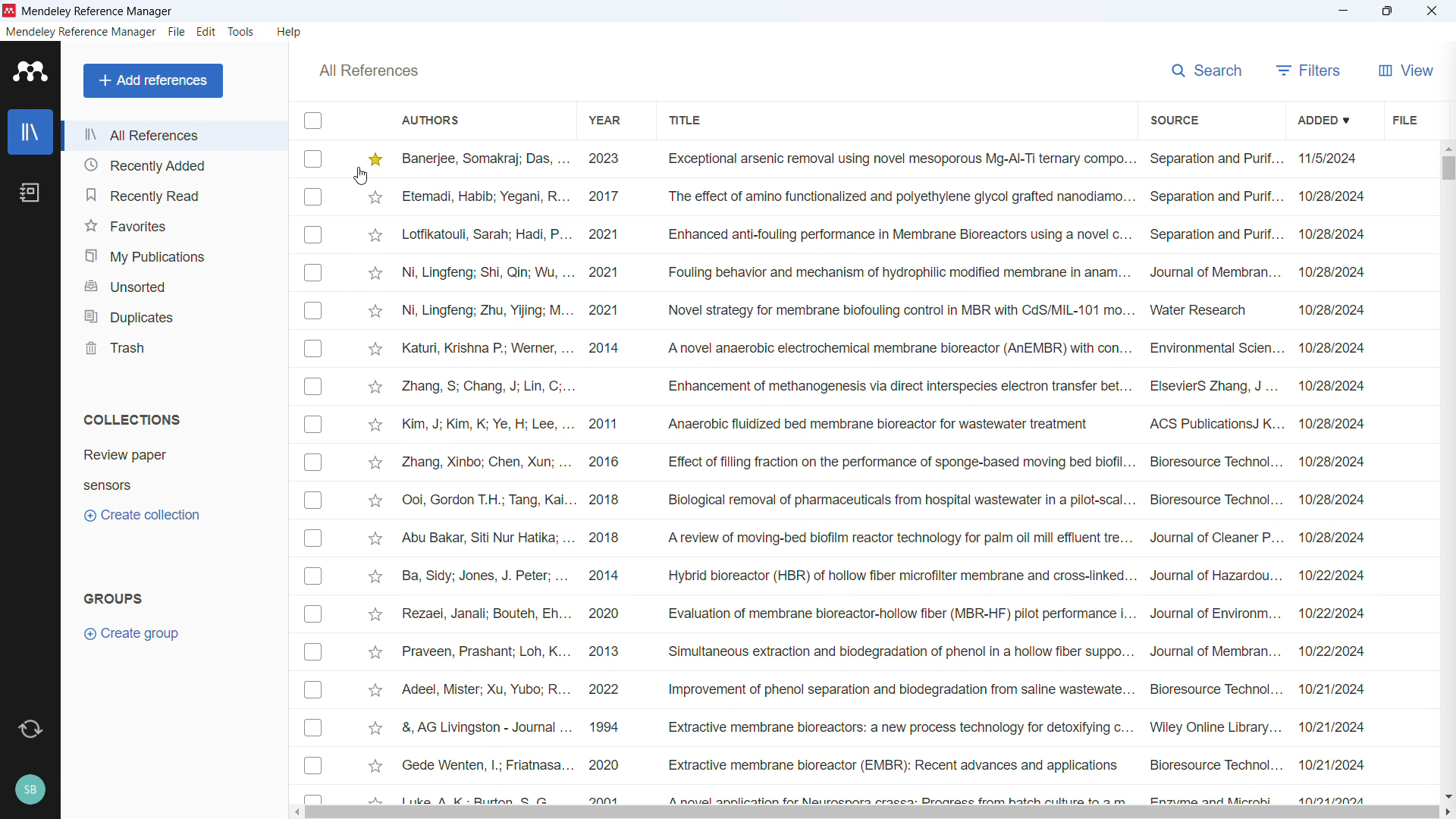 Image resolution: width=1456 pixels, height=819 pixels. Describe the element at coordinates (1324, 118) in the screenshot. I see `Sort by date added ` at that location.